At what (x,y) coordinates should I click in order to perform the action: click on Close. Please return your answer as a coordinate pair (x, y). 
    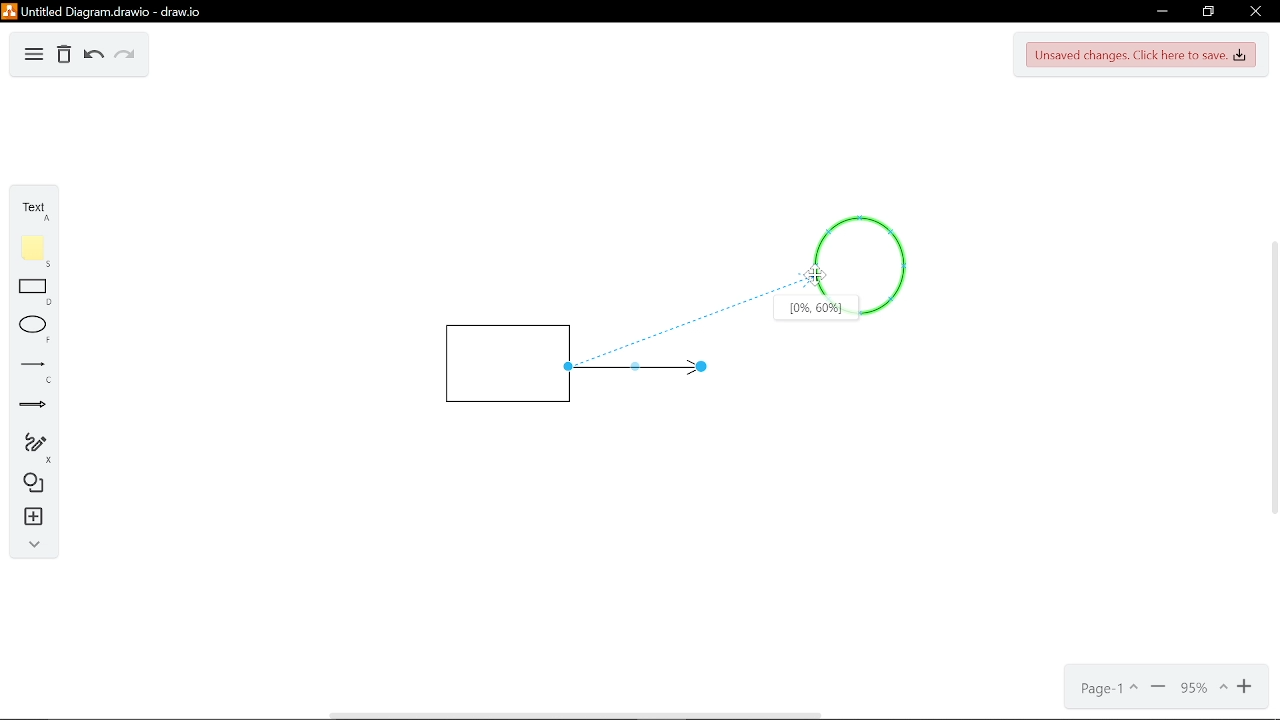
    Looking at the image, I should click on (1254, 12).